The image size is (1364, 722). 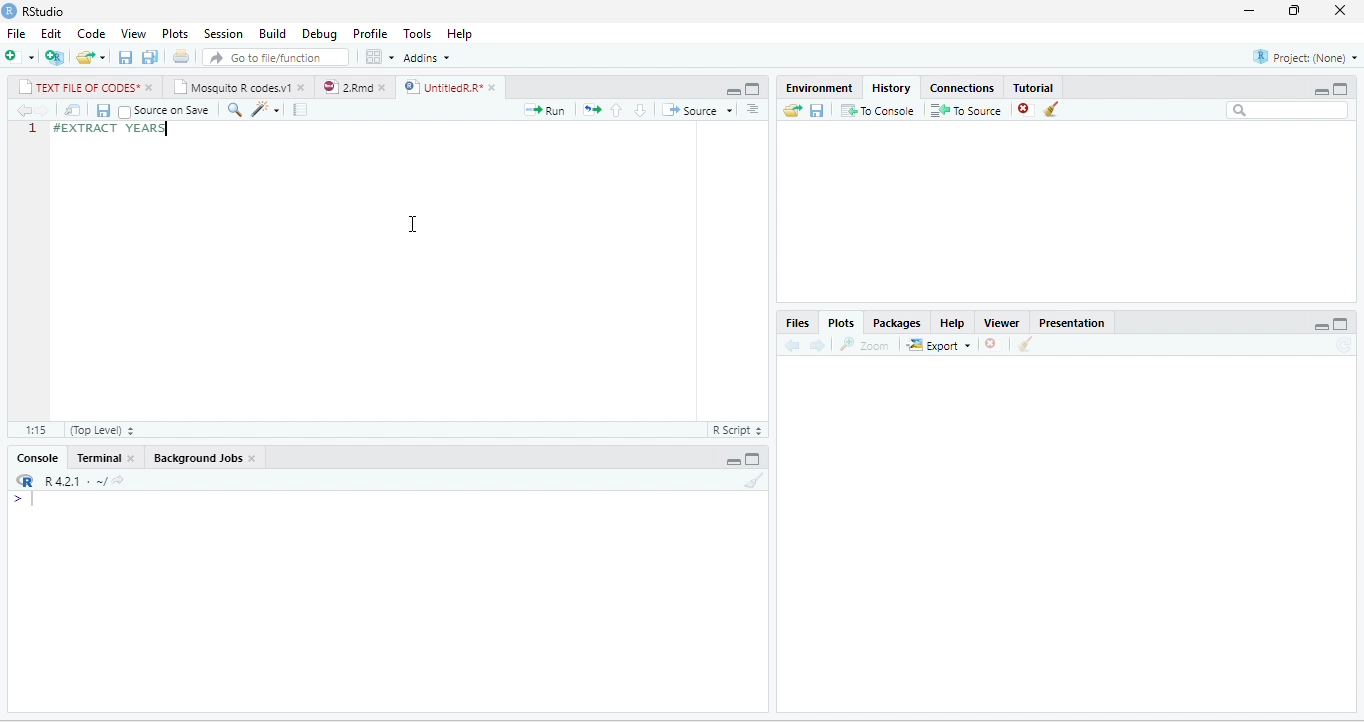 What do you see at coordinates (752, 109) in the screenshot?
I see `options` at bounding box center [752, 109].